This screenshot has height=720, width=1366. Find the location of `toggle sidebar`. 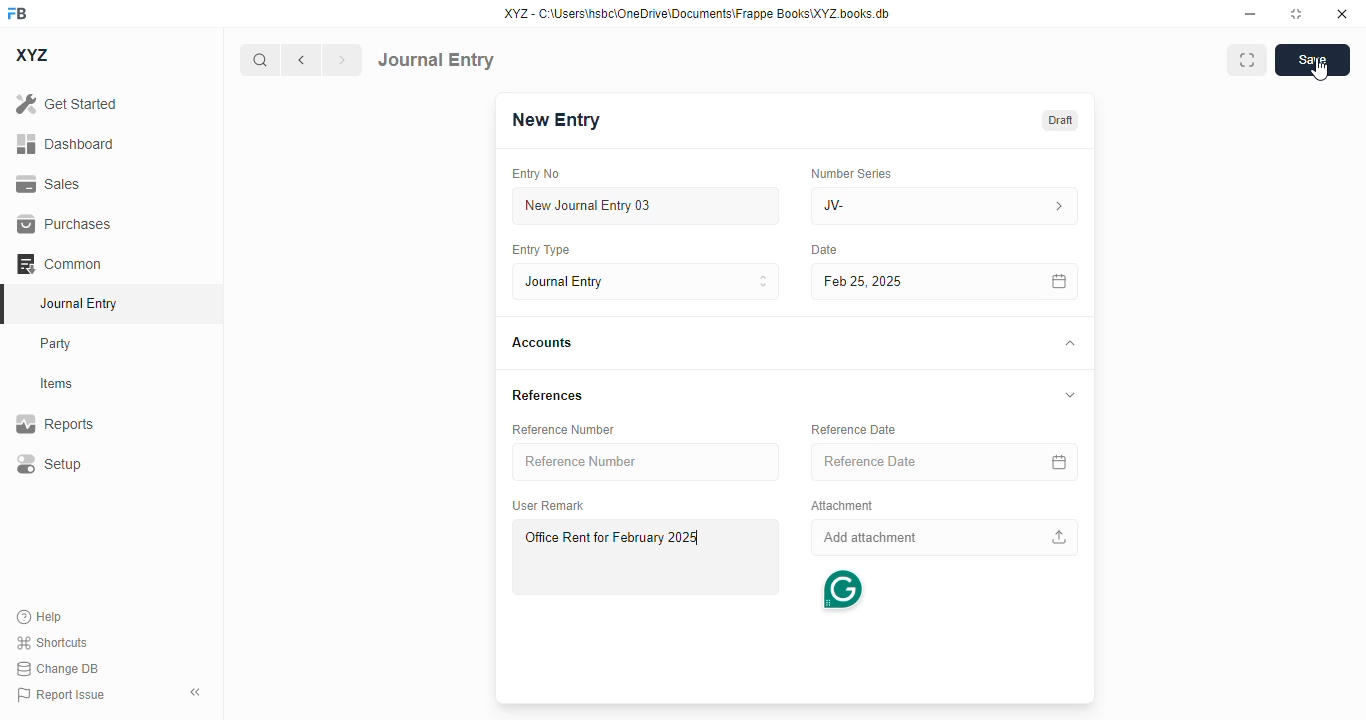

toggle sidebar is located at coordinates (197, 692).